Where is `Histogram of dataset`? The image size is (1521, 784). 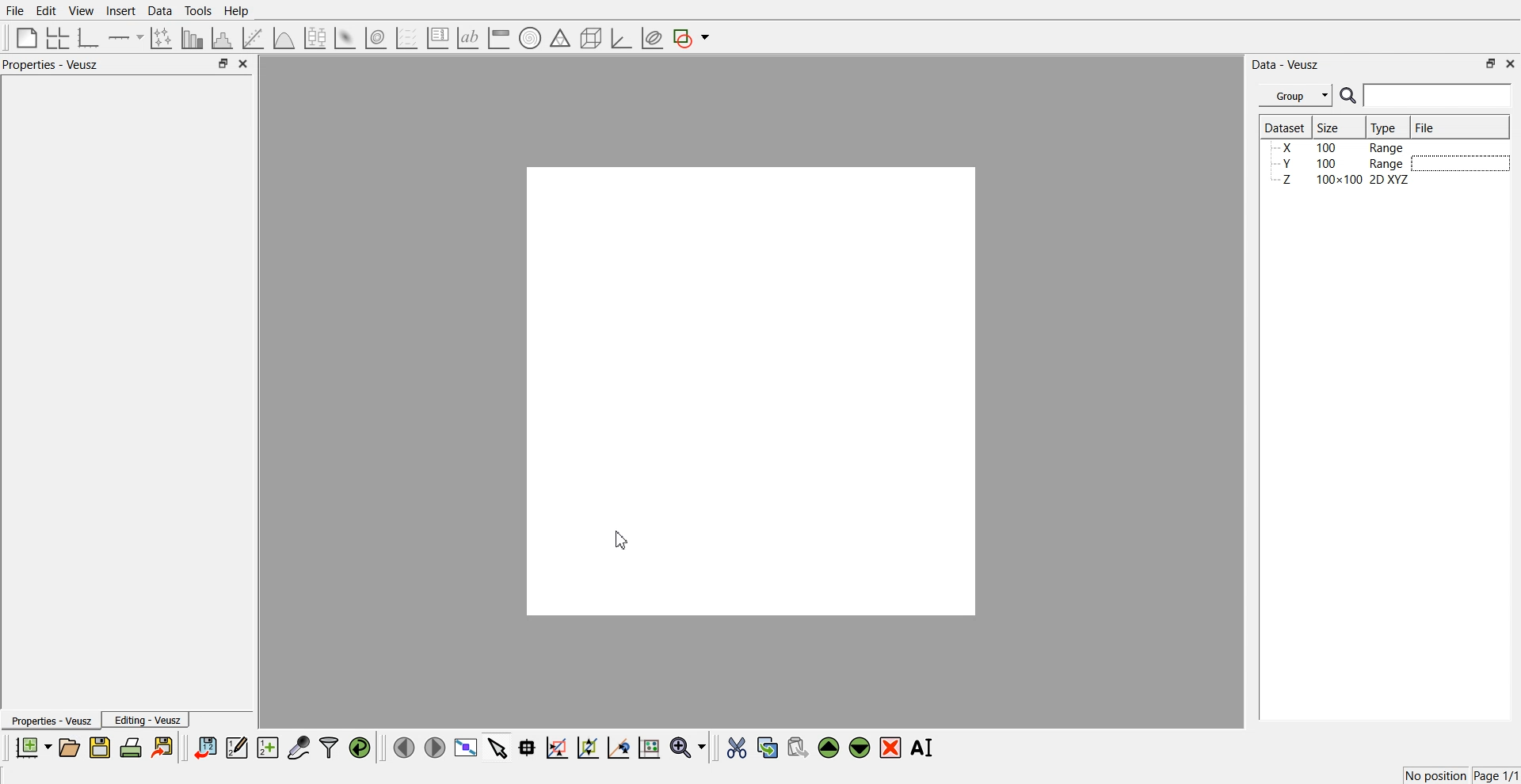
Histogram of dataset is located at coordinates (220, 39).